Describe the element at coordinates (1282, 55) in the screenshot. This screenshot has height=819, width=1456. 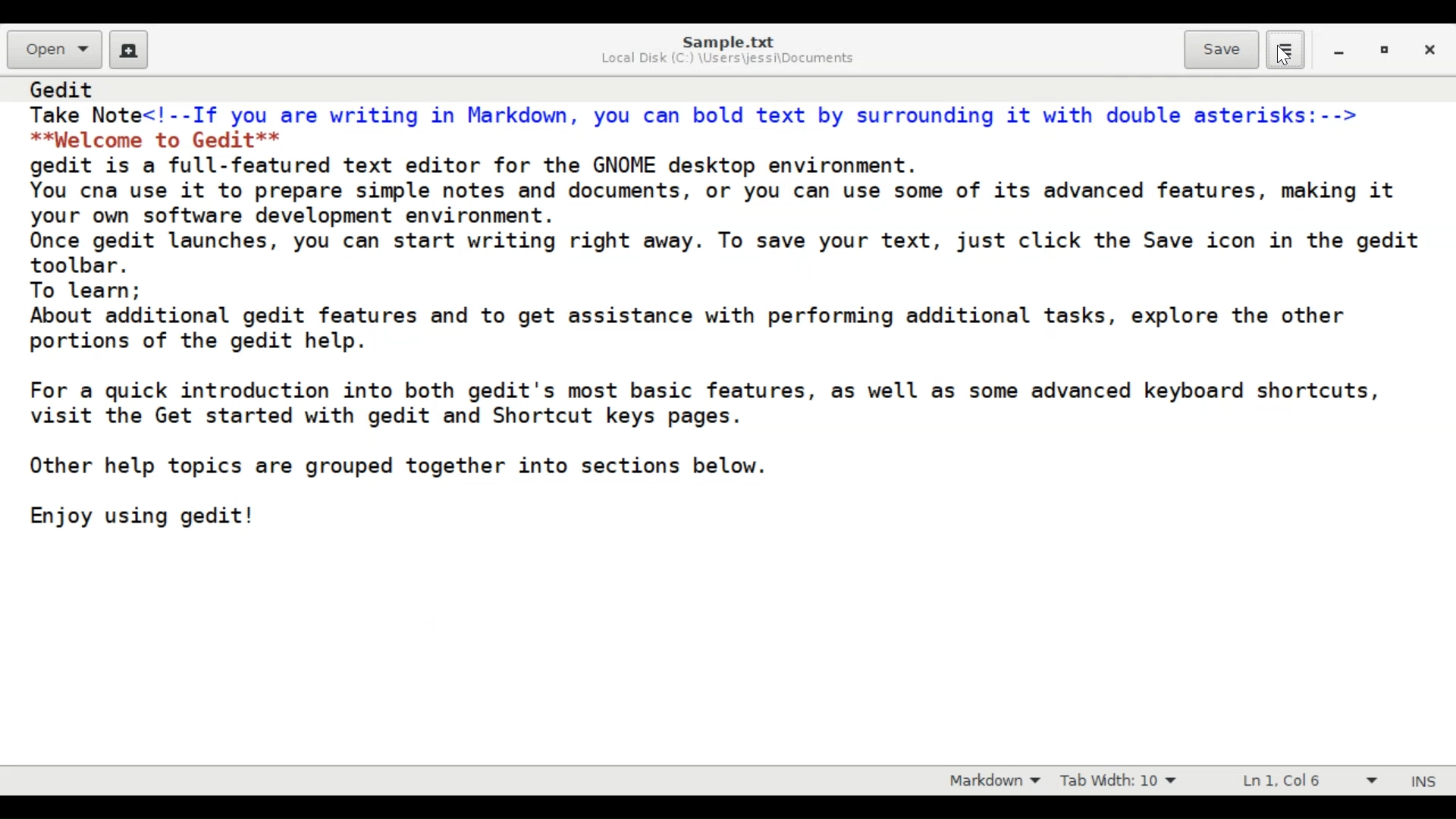
I see `Cursor` at that location.